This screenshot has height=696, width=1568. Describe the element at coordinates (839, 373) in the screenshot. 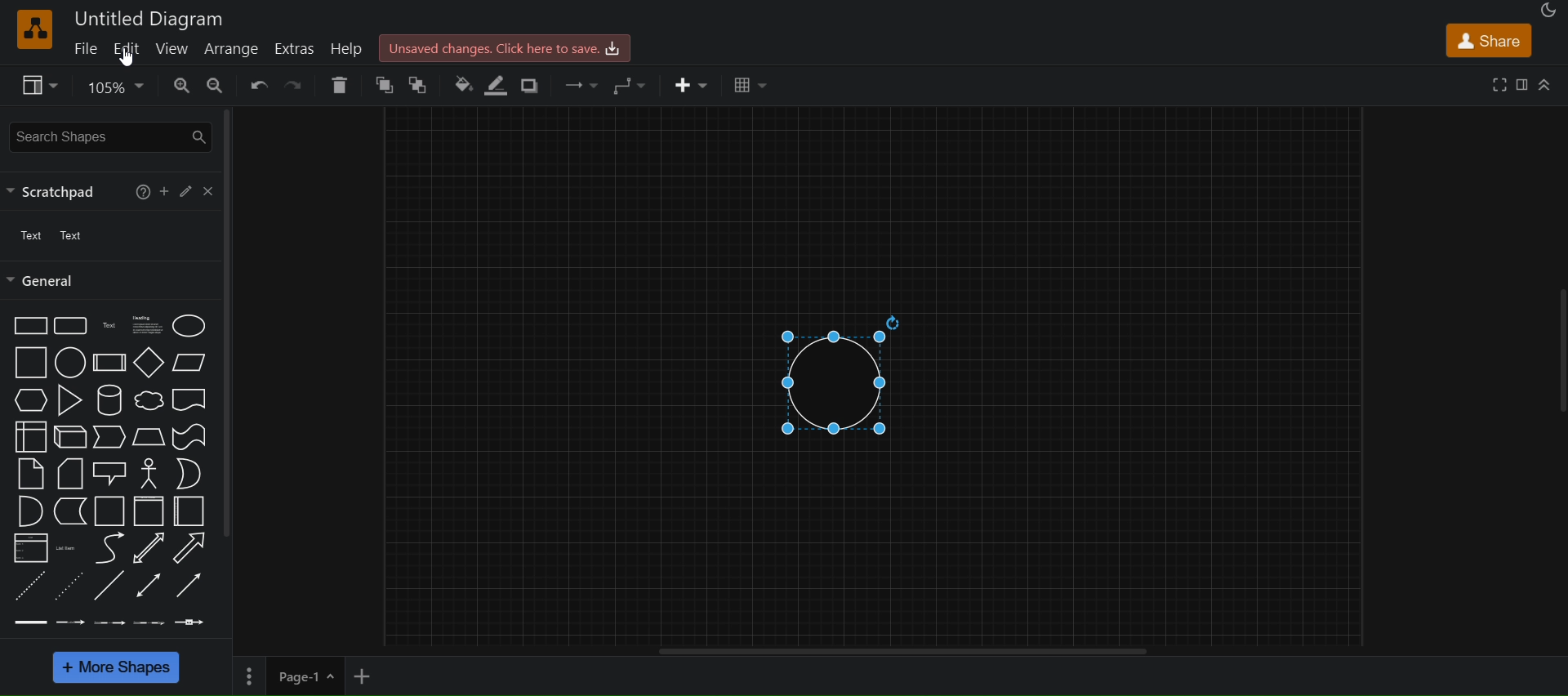

I see `circle` at that location.